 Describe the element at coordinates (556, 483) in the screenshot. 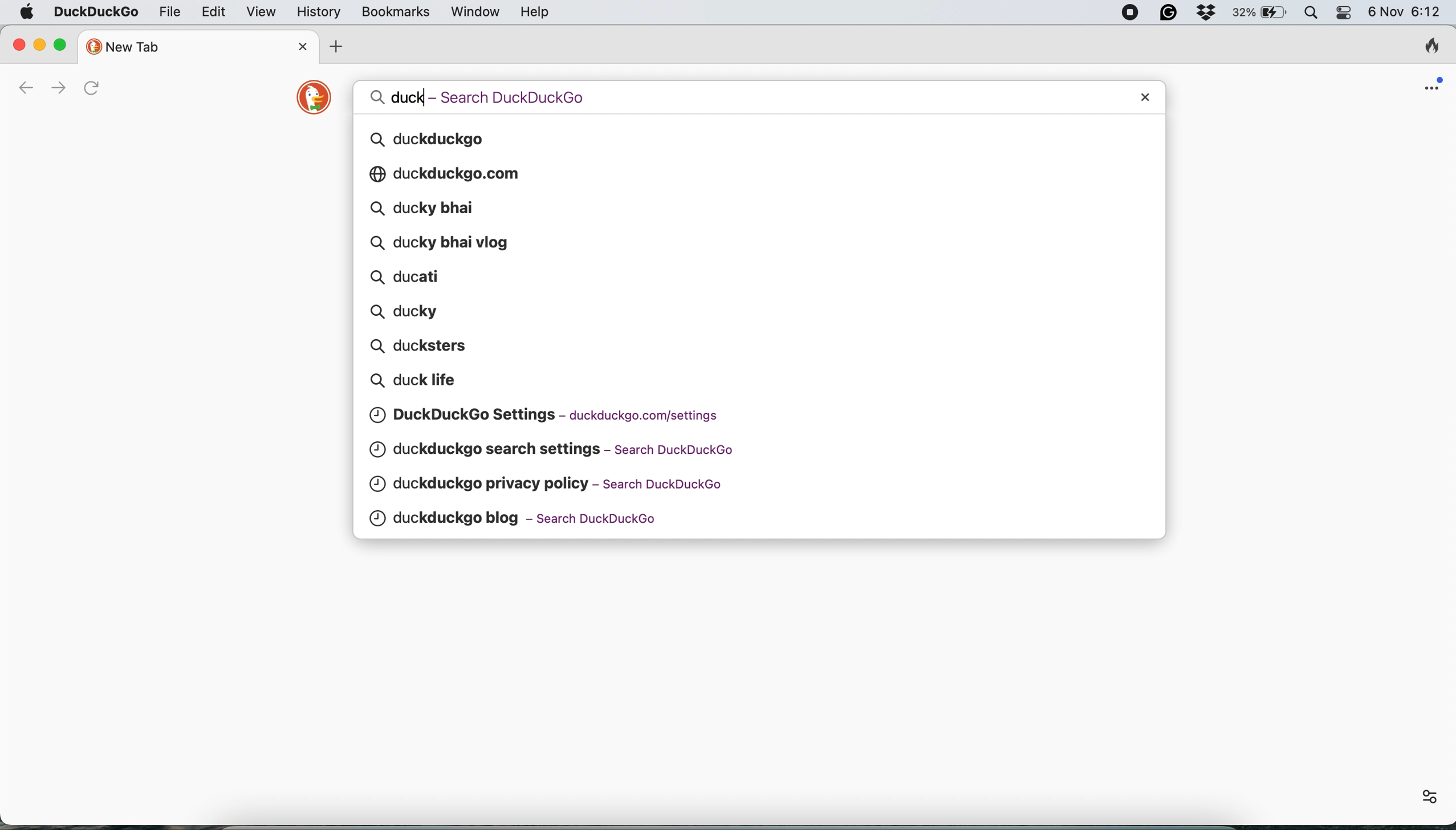

I see `duckduckgo privacy policy - Search DuckDuckGo` at that location.